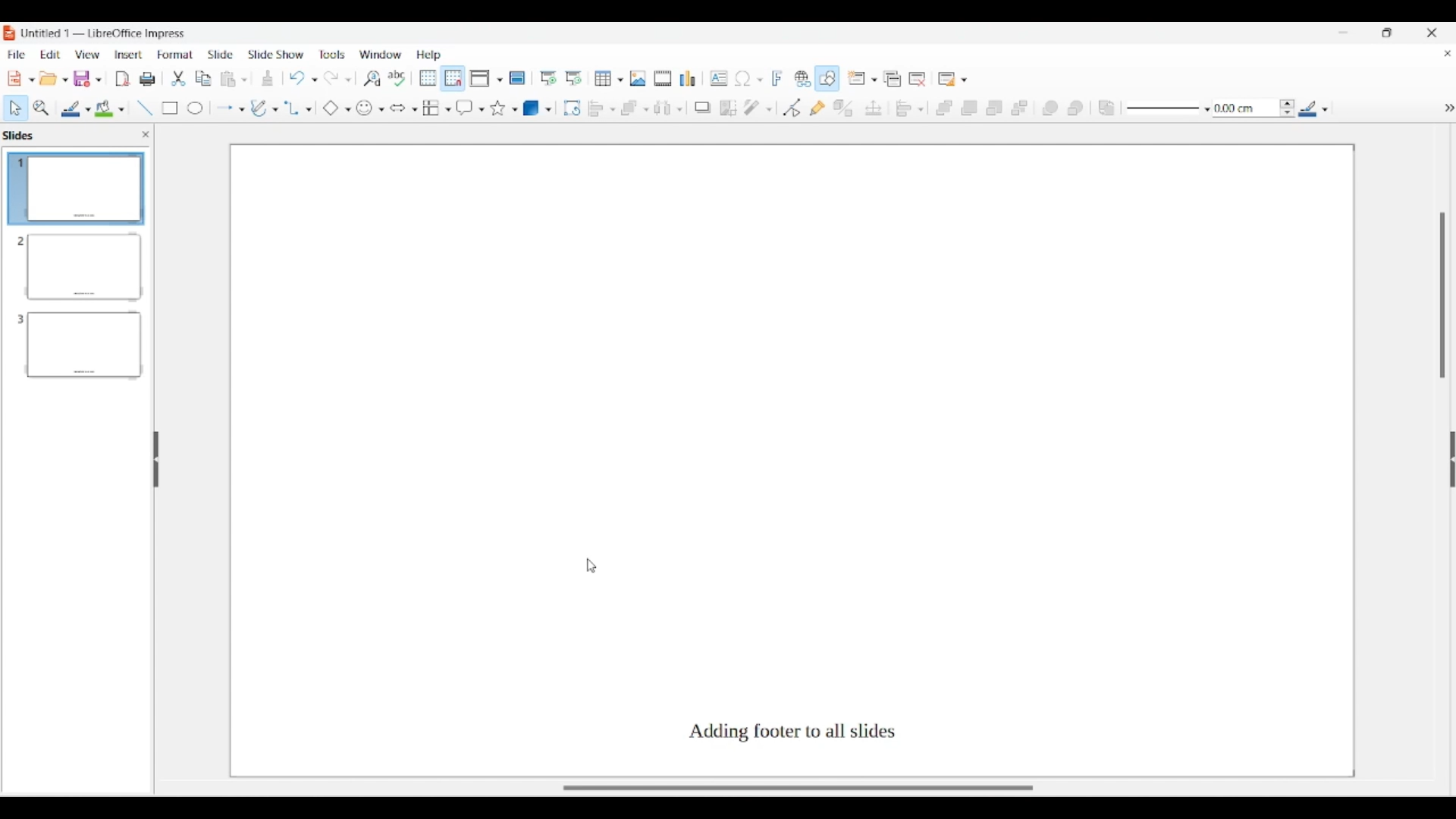 The image size is (1456, 819). What do you see at coordinates (80, 268) in the screenshot?
I see `Slide 2` at bounding box center [80, 268].